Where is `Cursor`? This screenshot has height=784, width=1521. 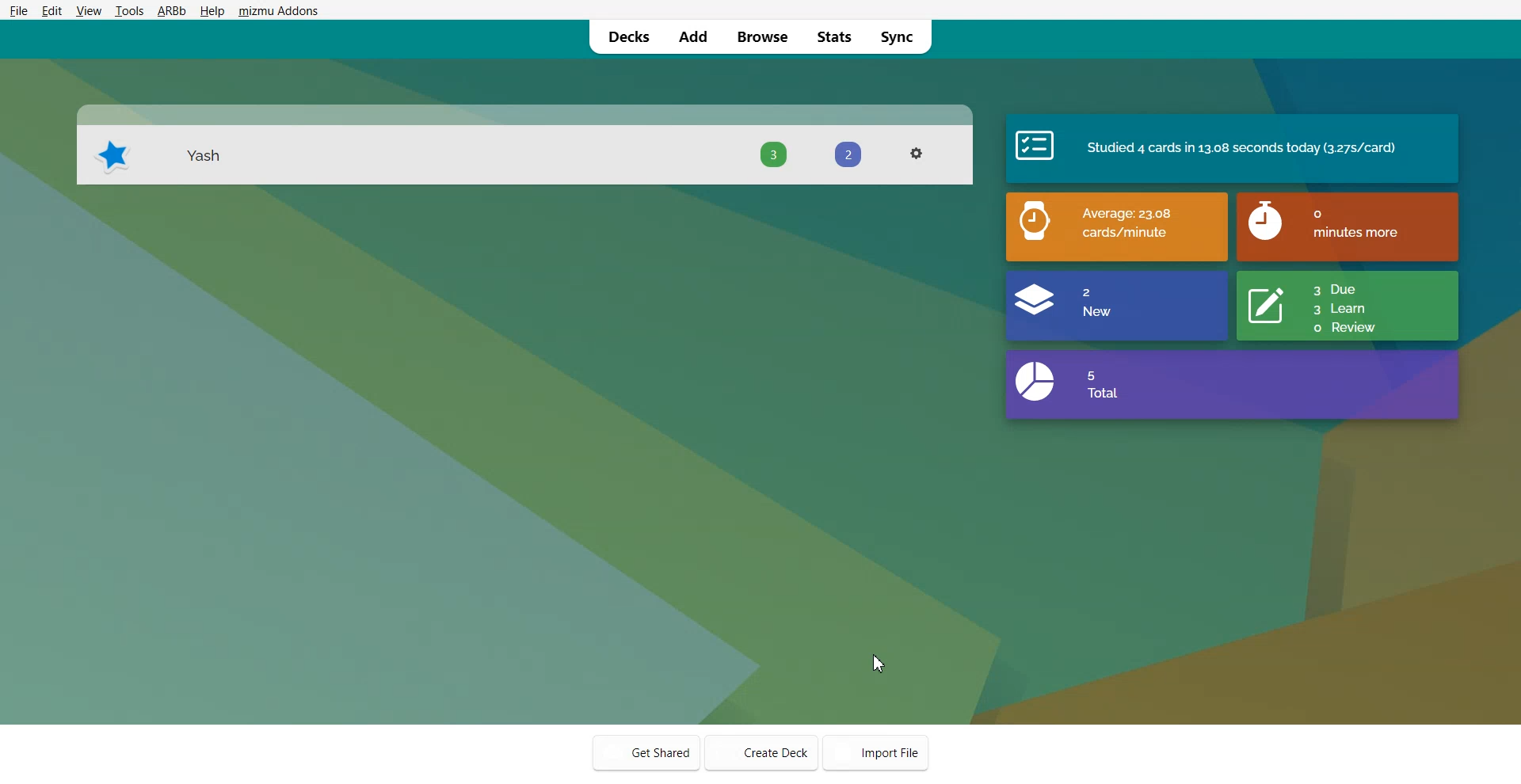 Cursor is located at coordinates (883, 664).